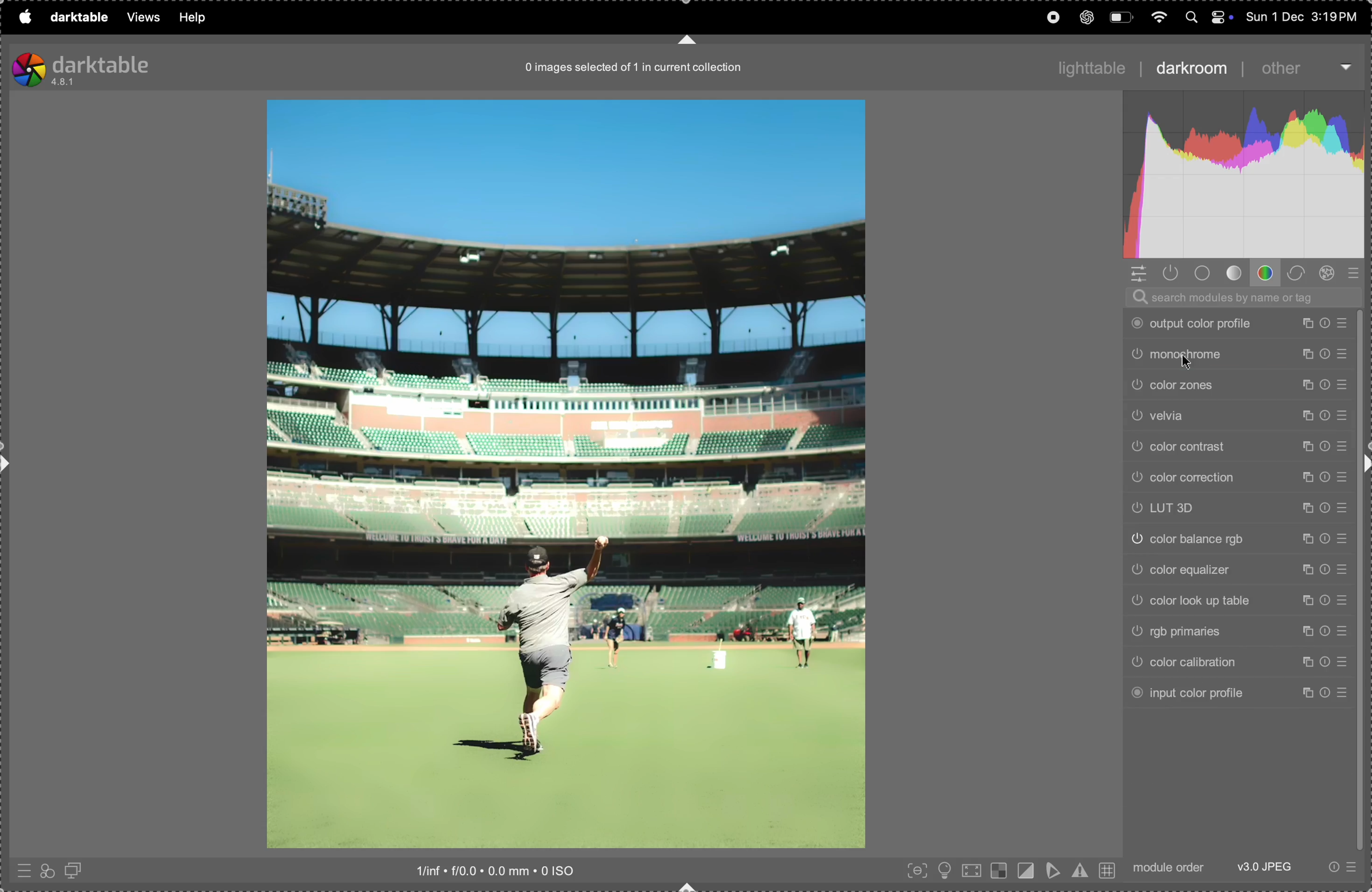 The image size is (1372, 892). What do you see at coordinates (1160, 18) in the screenshot?
I see `wifi` at bounding box center [1160, 18].